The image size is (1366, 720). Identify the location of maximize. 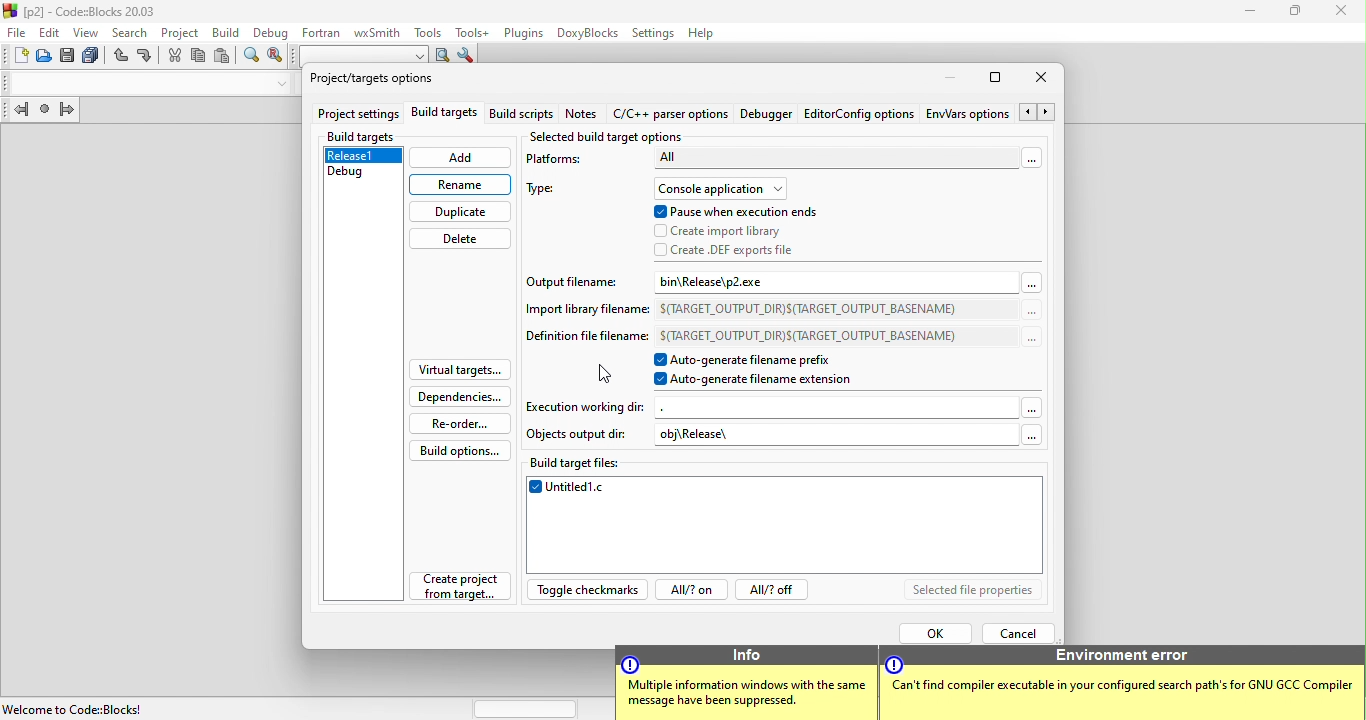
(1296, 12).